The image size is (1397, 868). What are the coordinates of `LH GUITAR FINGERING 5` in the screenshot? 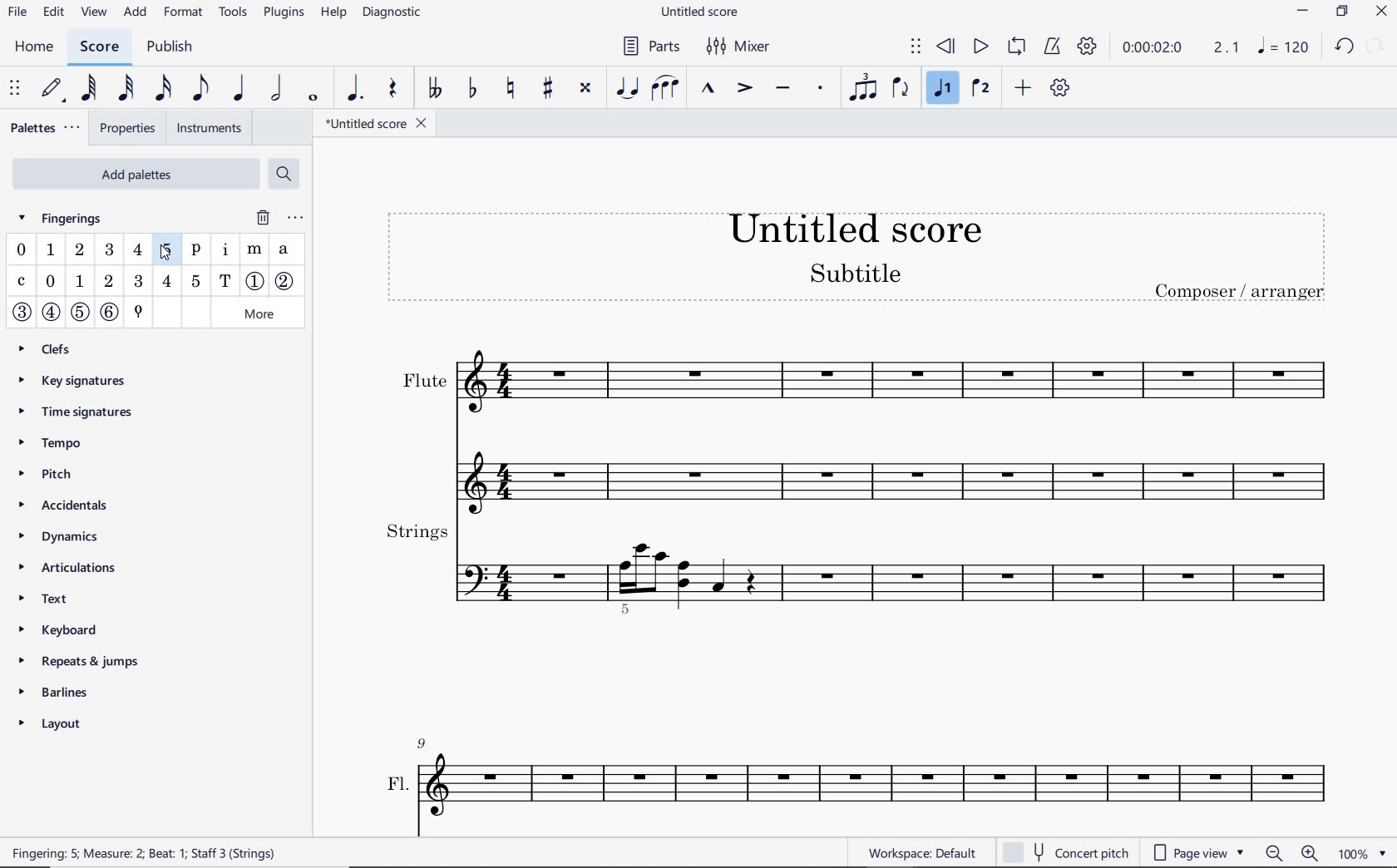 It's located at (196, 282).